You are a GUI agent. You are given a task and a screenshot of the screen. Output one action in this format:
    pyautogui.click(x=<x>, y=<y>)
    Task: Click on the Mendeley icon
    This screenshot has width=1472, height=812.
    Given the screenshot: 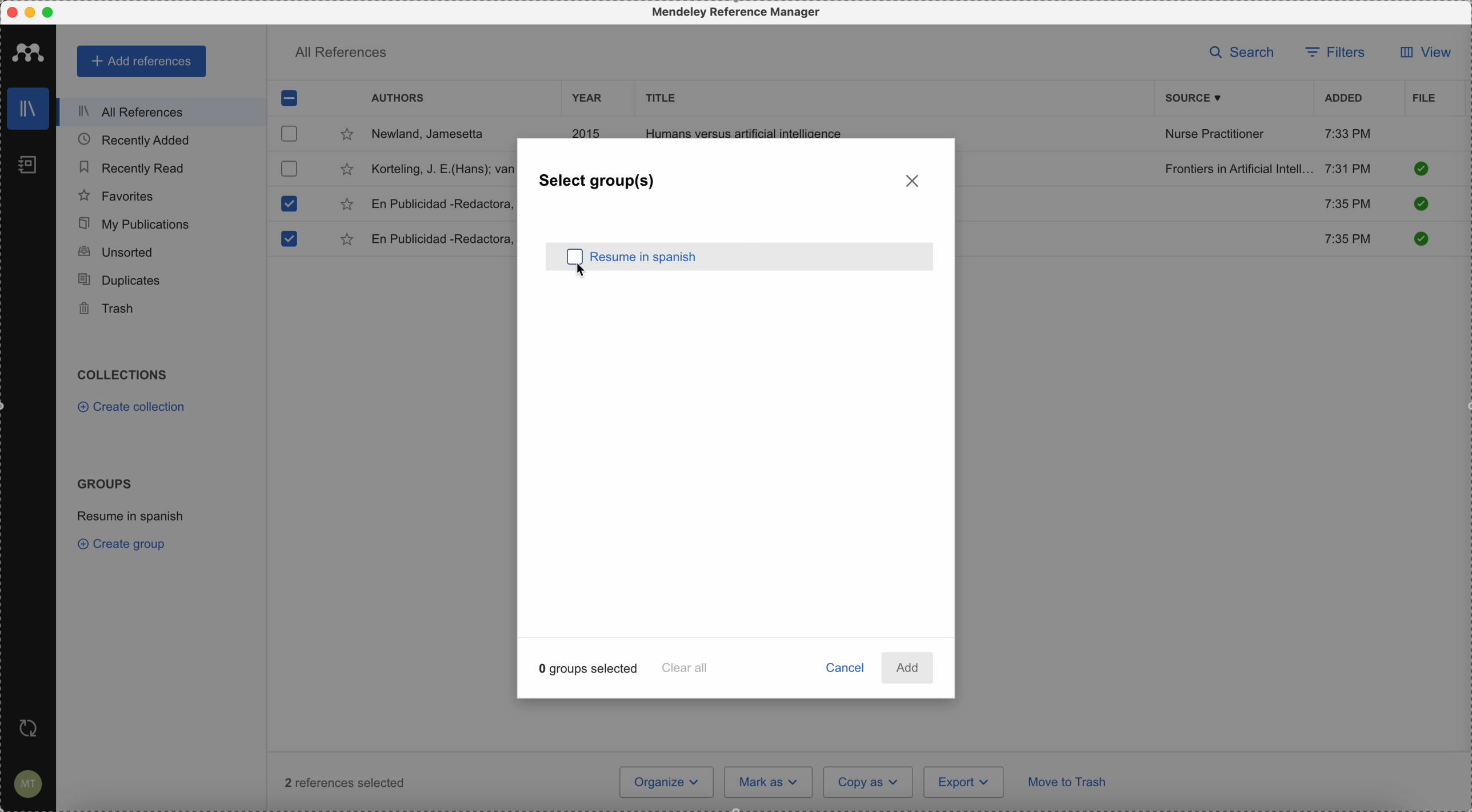 What is the action you would take?
    pyautogui.click(x=29, y=50)
    